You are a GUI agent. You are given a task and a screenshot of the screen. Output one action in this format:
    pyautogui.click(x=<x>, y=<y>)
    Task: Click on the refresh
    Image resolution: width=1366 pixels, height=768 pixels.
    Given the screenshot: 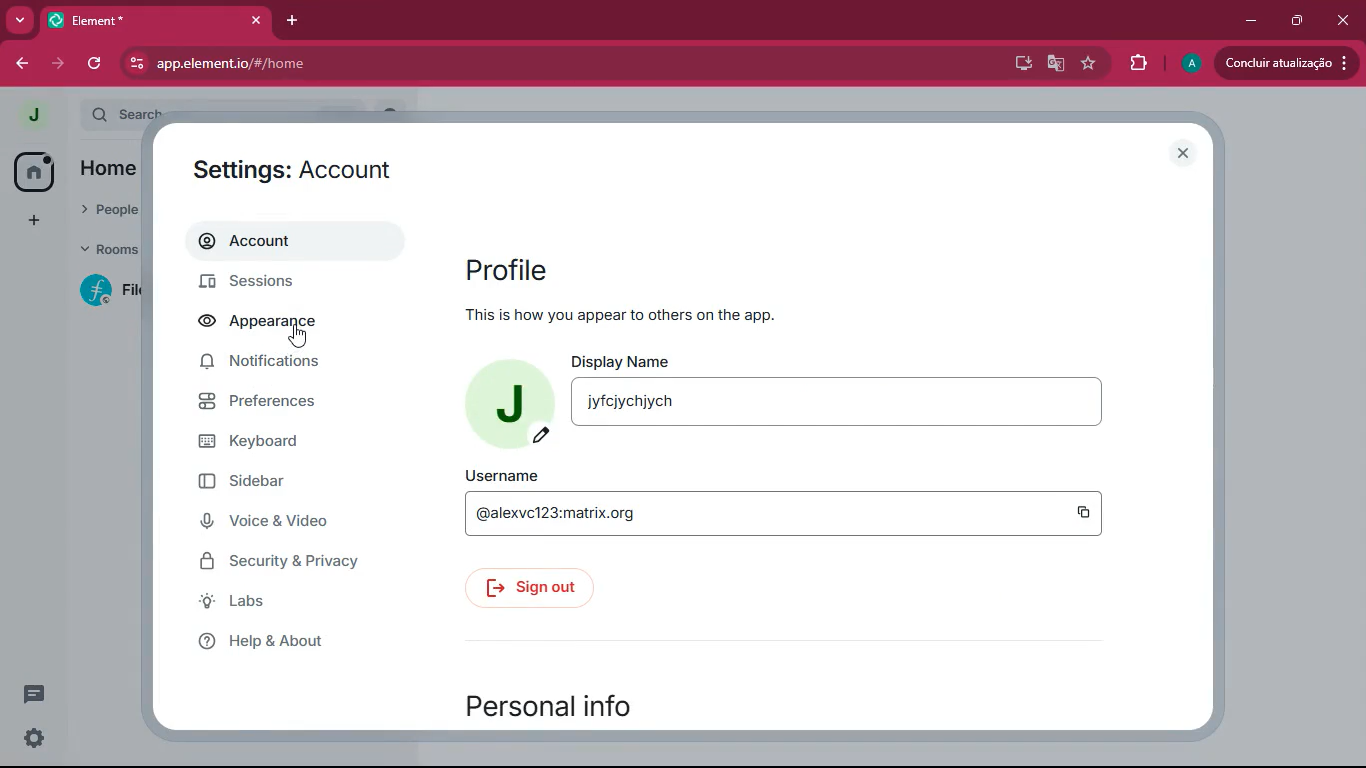 What is the action you would take?
    pyautogui.click(x=96, y=63)
    